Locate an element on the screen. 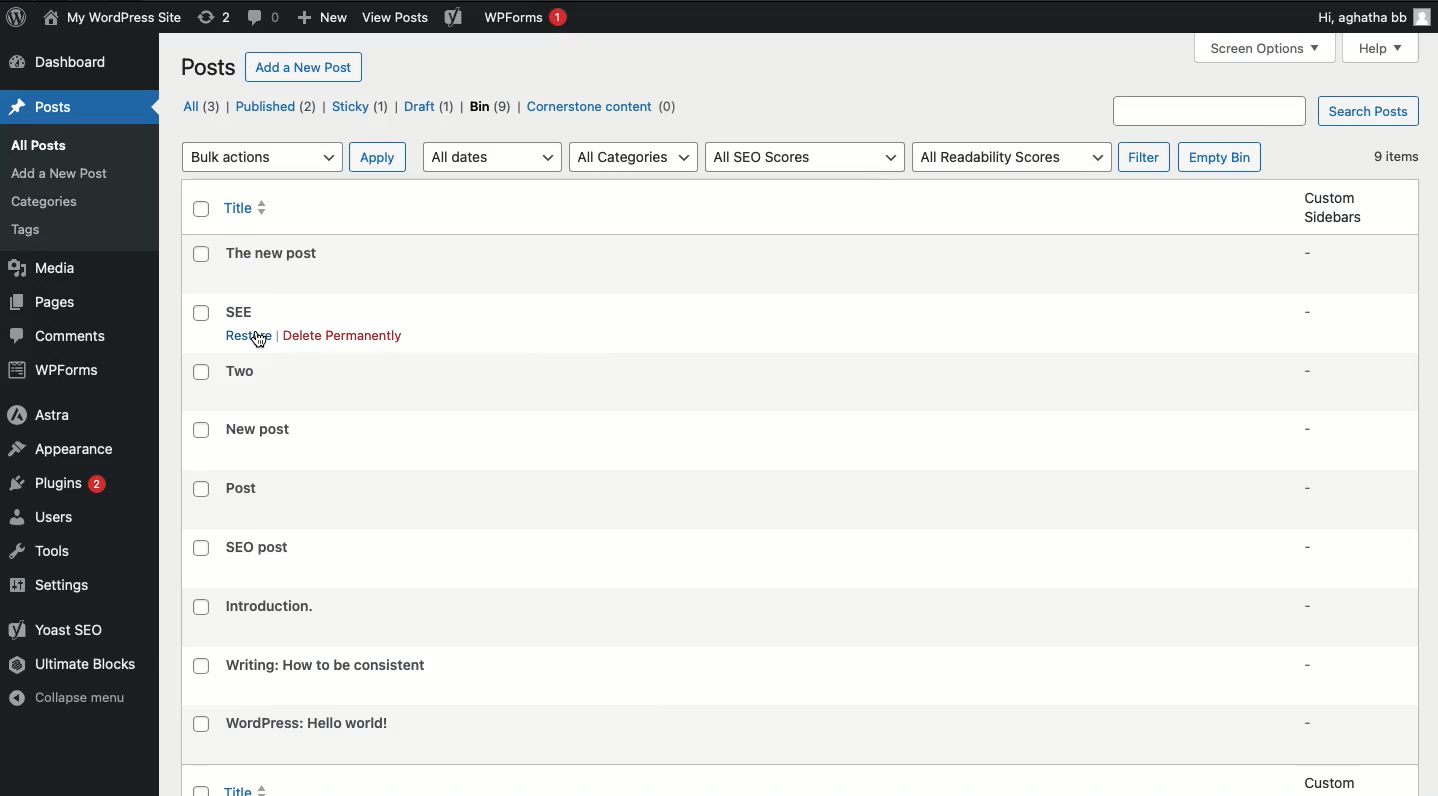  Tools is located at coordinates (40, 551).